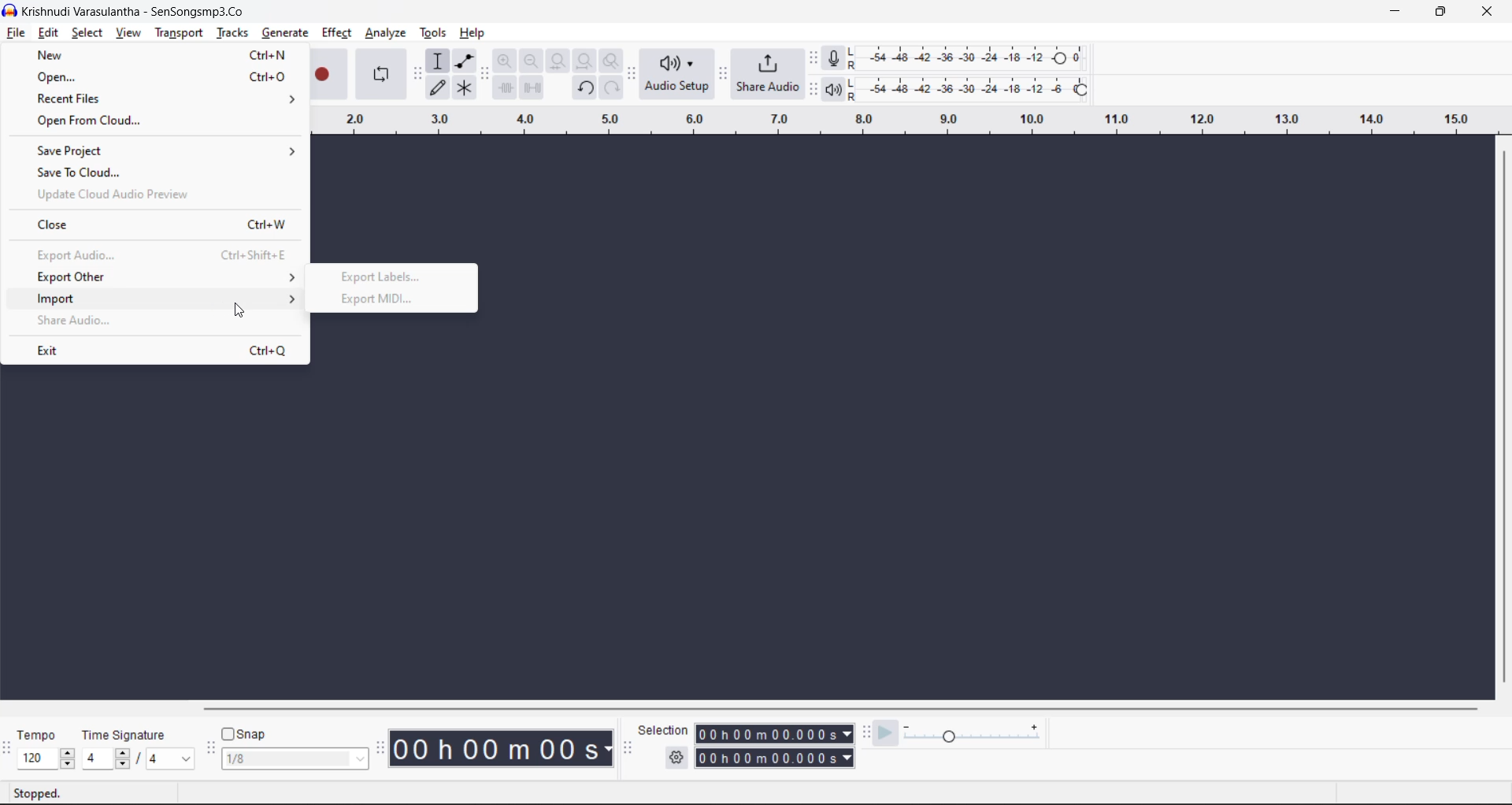  Describe the element at coordinates (473, 33) in the screenshot. I see `help` at that location.